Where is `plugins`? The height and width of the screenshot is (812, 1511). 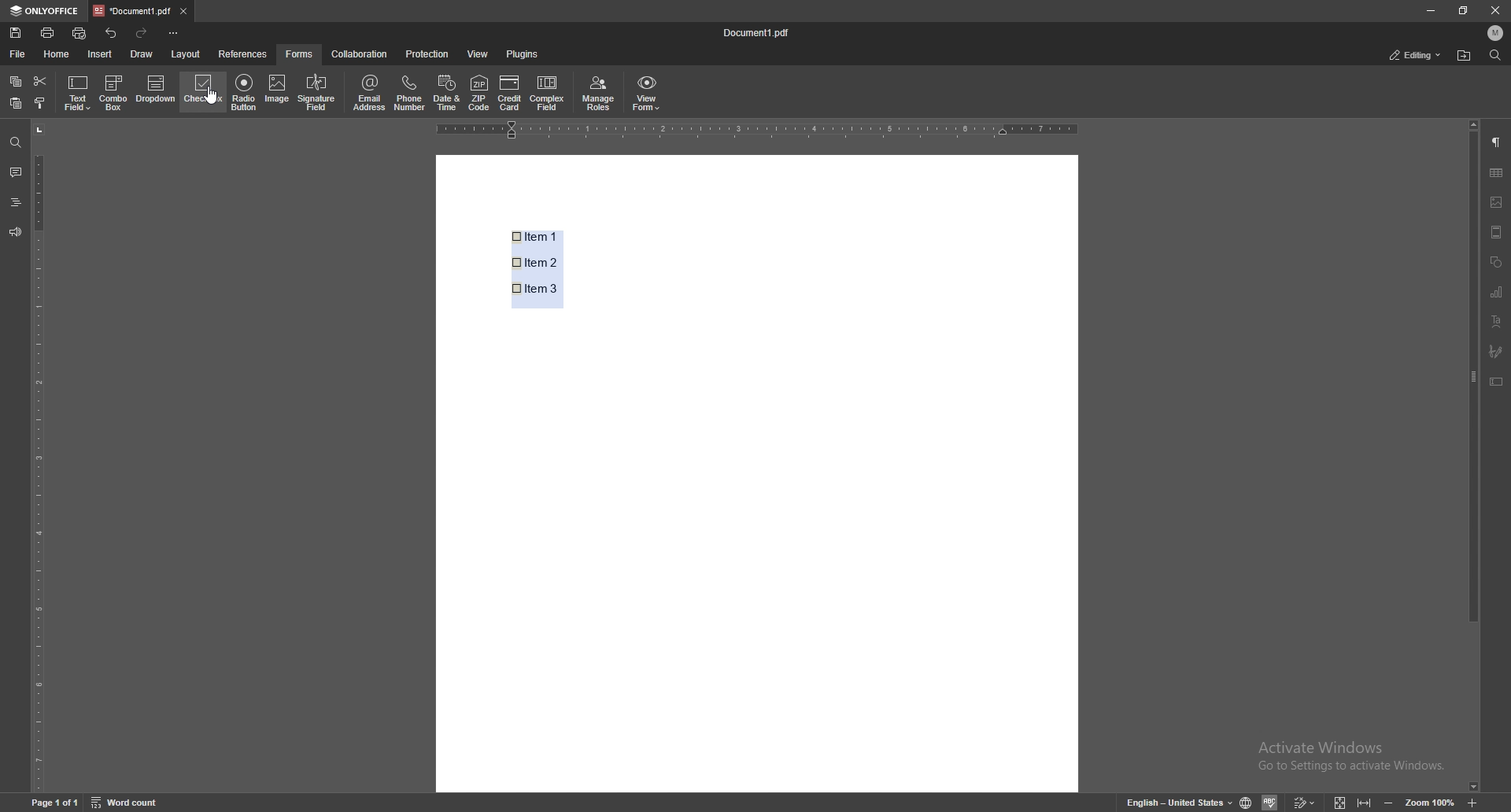 plugins is located at coordinates (526, 54).